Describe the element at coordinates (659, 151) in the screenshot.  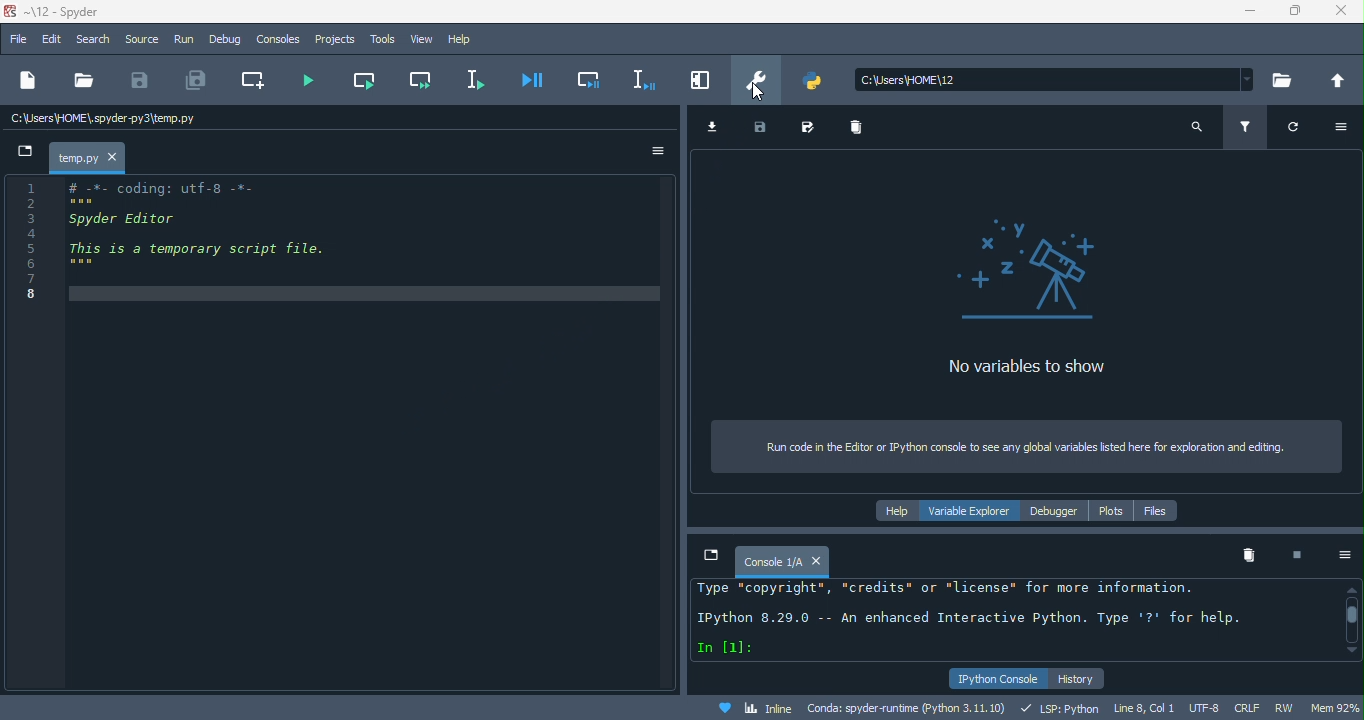
I see `option` at that location.